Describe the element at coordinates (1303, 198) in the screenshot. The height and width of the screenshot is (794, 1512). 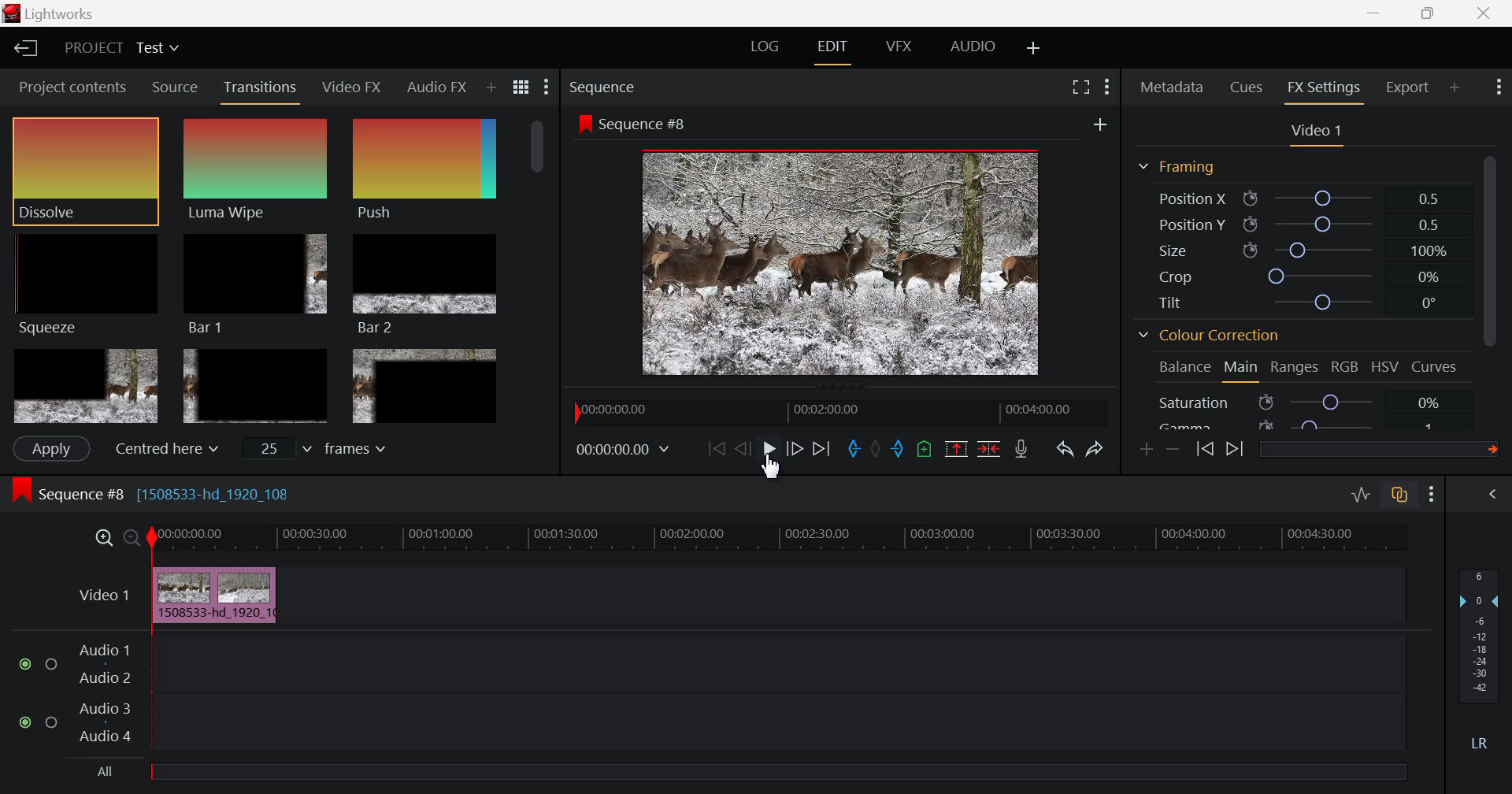
I see `Position X` at that location.